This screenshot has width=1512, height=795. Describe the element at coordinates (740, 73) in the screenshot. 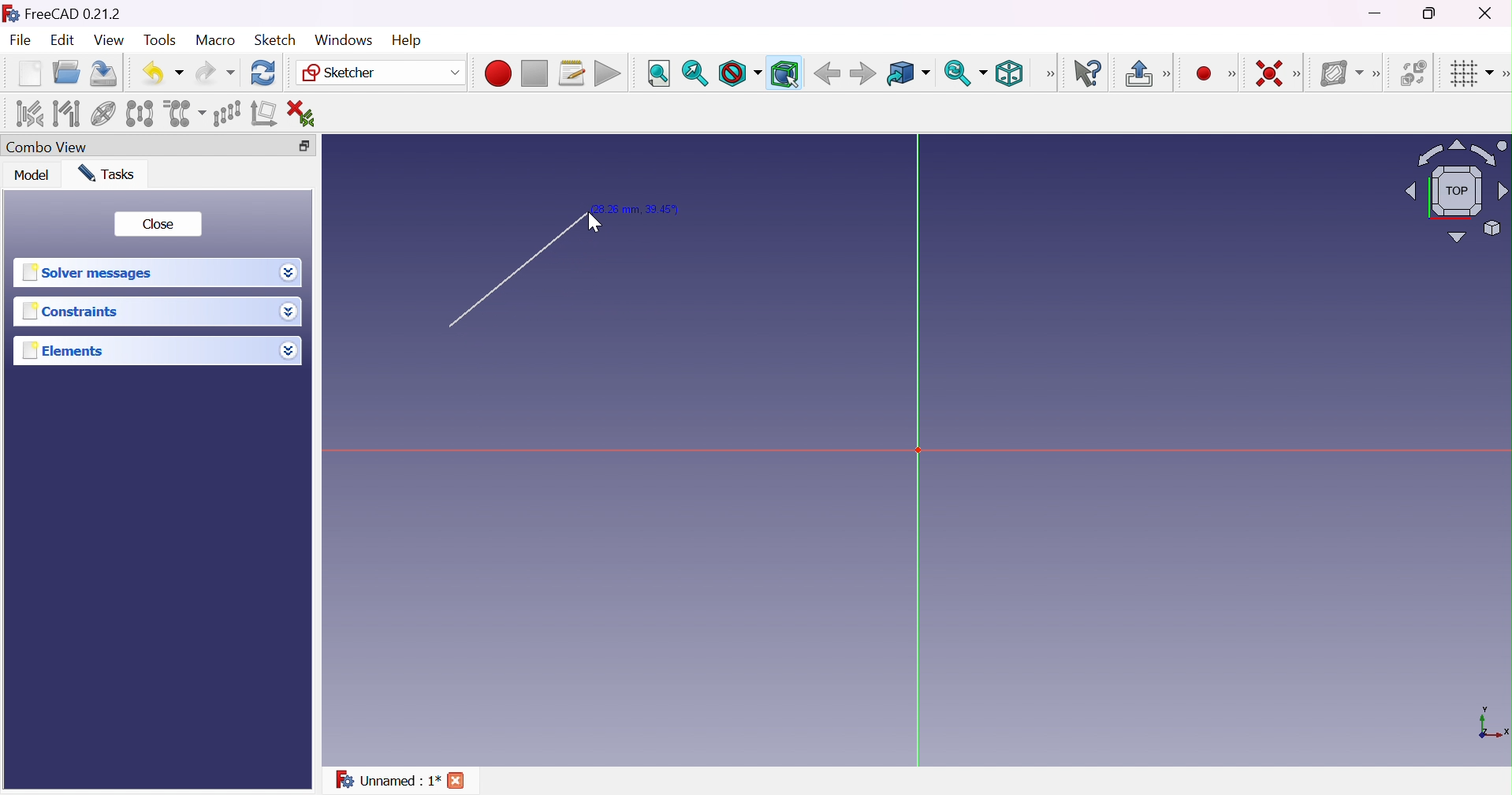

I see `Draw style` at that location.